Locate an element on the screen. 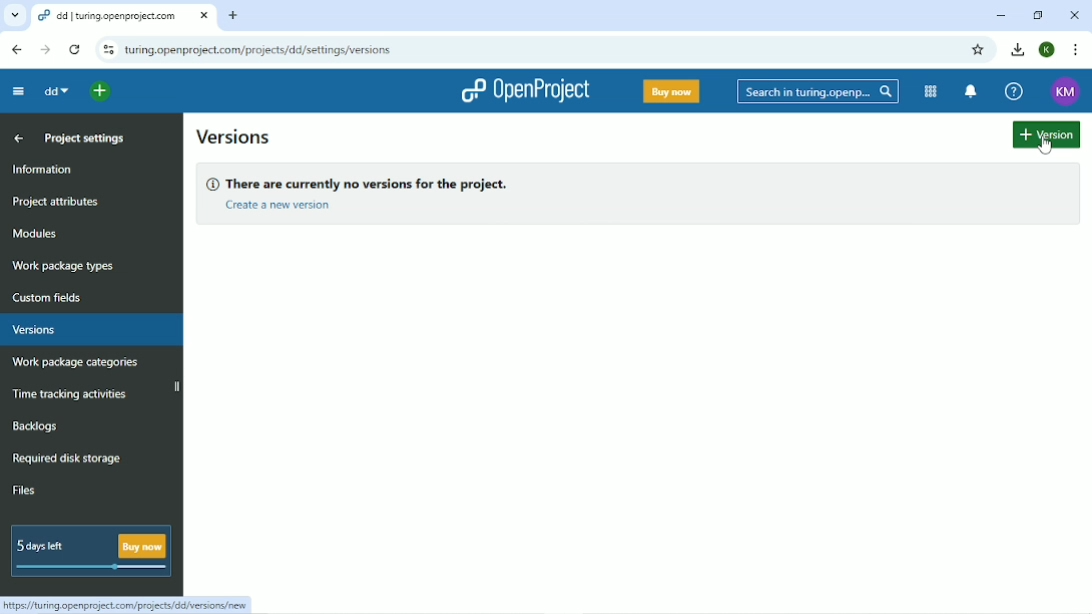  5 days left is located at coordinates (89, 552).